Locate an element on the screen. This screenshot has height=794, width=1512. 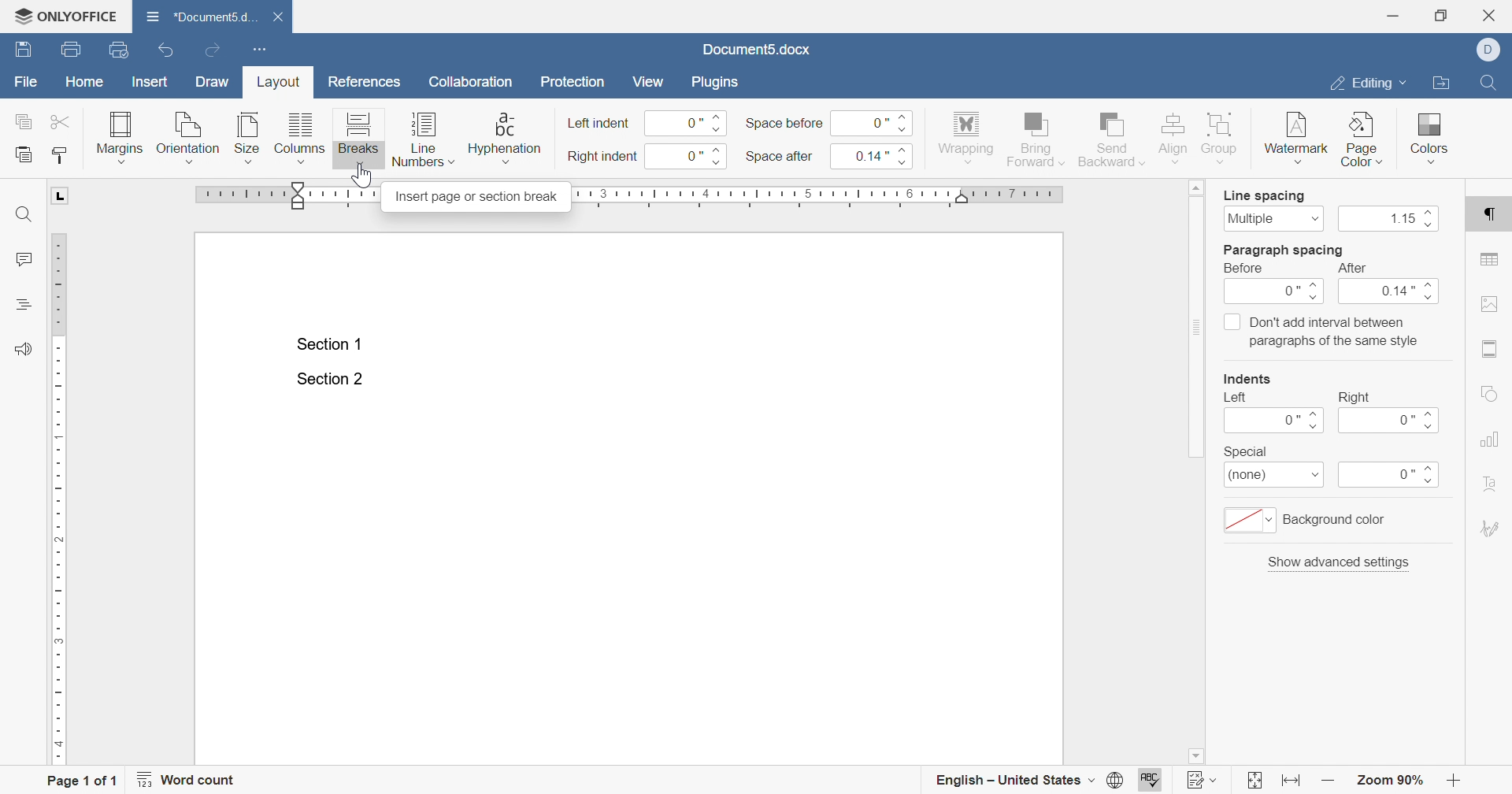
references is located at coordinates (365, 82).